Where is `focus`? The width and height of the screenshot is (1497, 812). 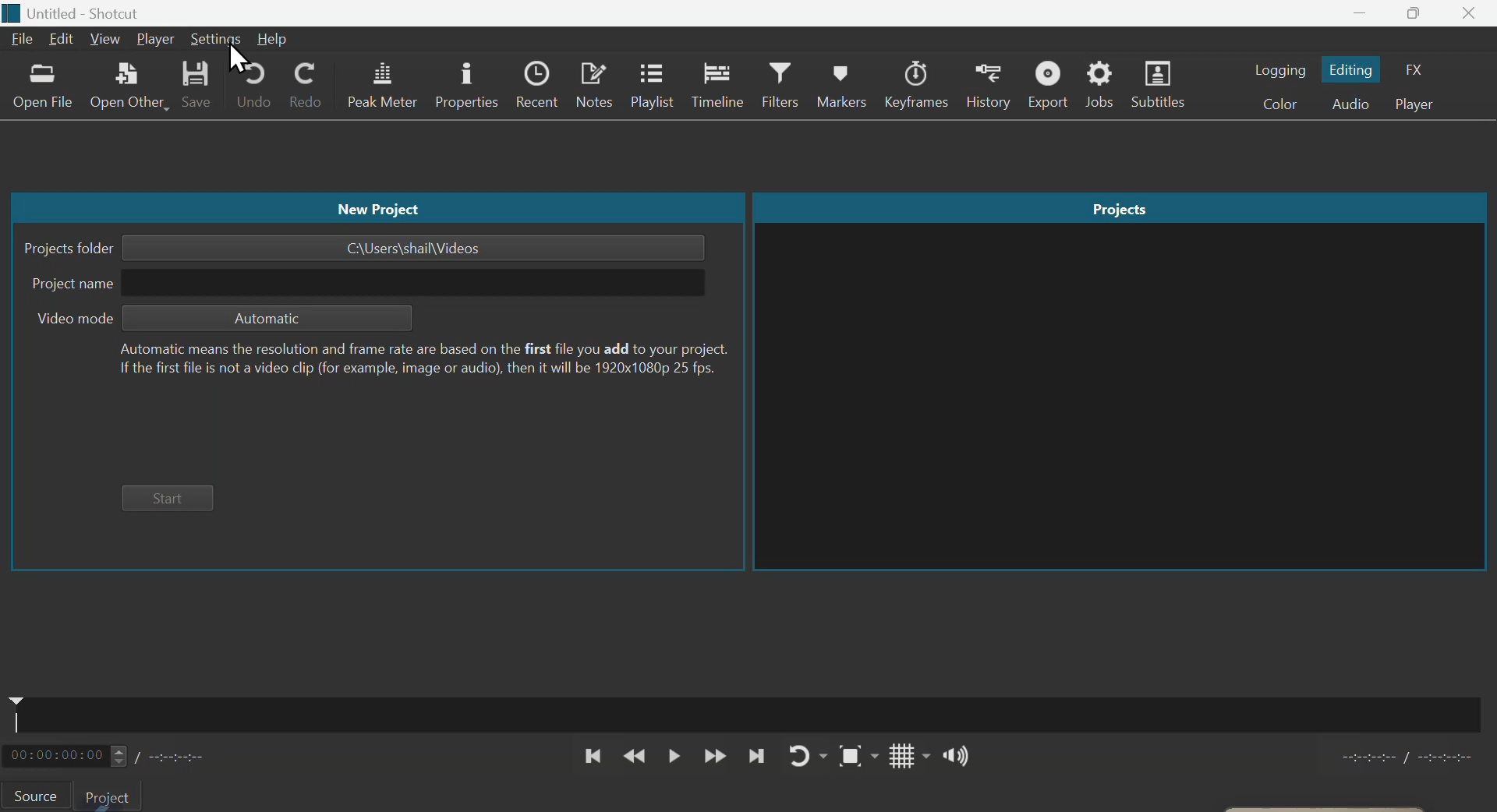
focus is located at coordinates (850, 756).